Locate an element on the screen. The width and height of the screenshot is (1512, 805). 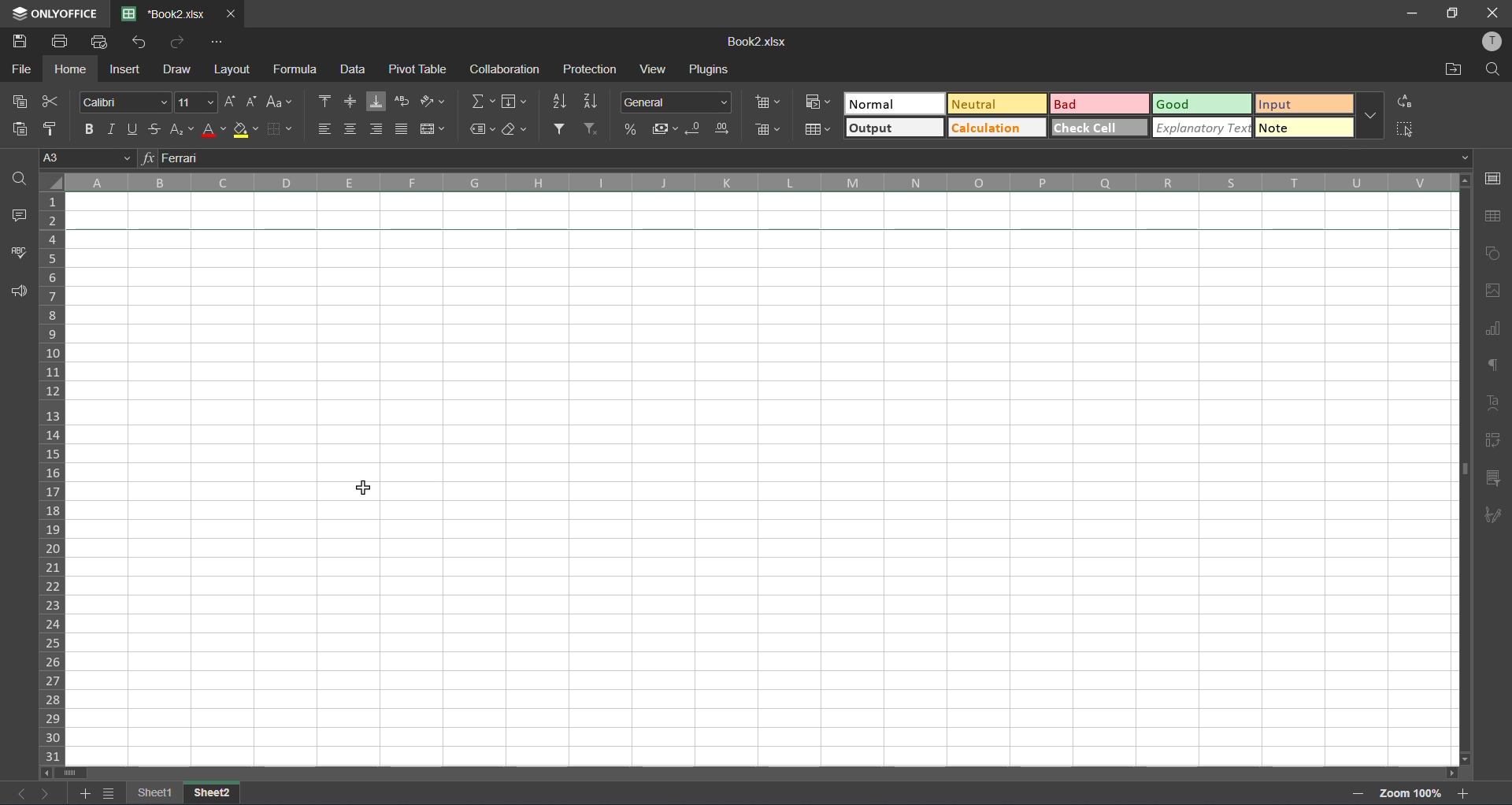
spellcheck is located at coordinates (16, 257).